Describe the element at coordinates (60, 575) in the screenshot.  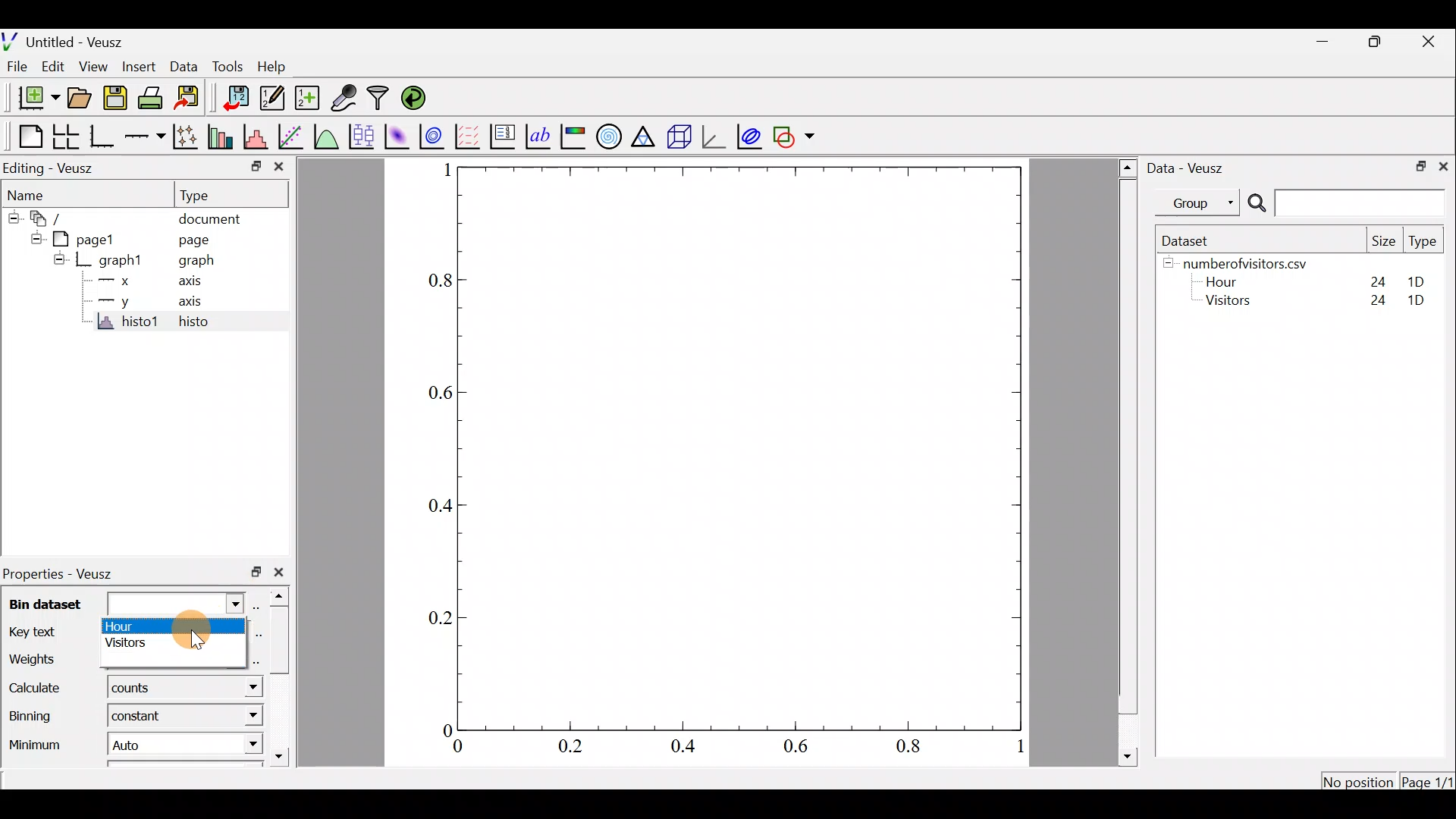
I see `Properties - Veusz` at that location.